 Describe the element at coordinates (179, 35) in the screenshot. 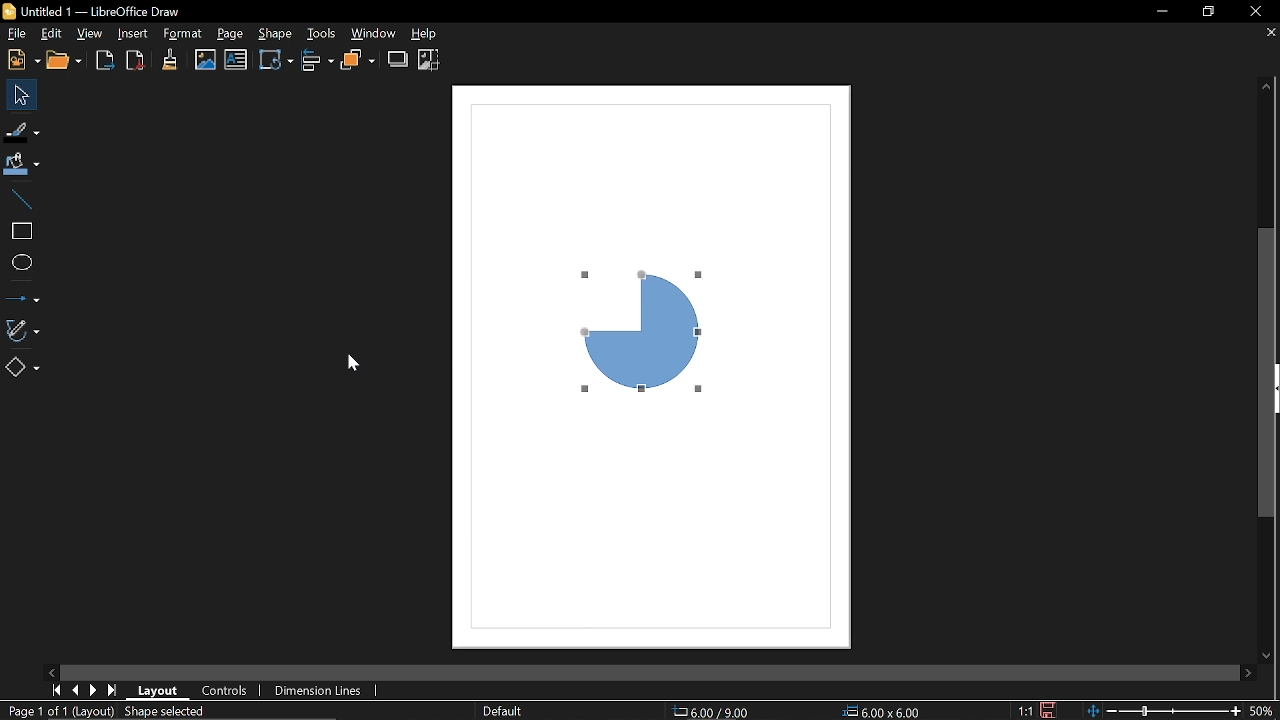

I see `Format` at that location.